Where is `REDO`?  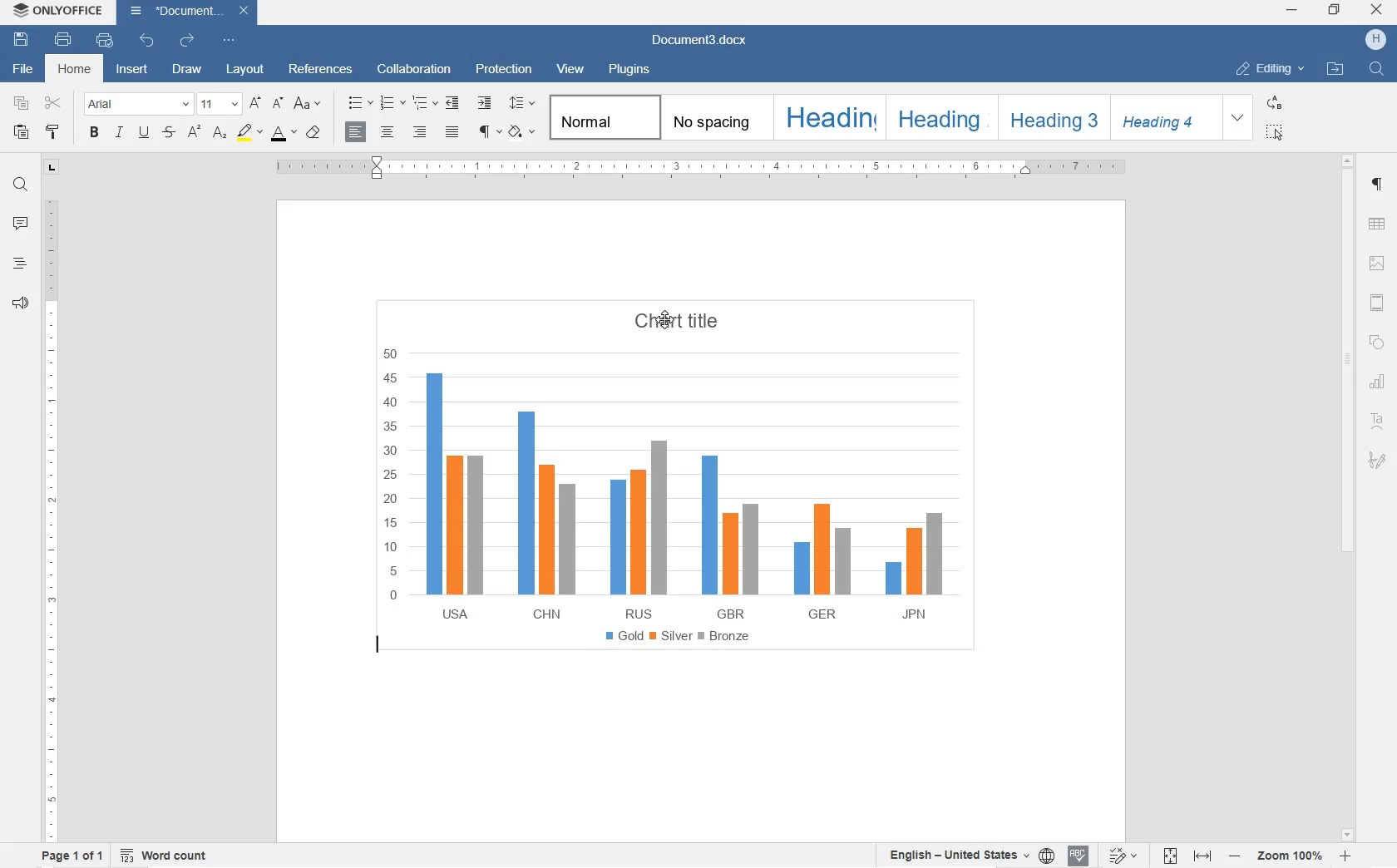
REDO is located at coordinates (188, 40).